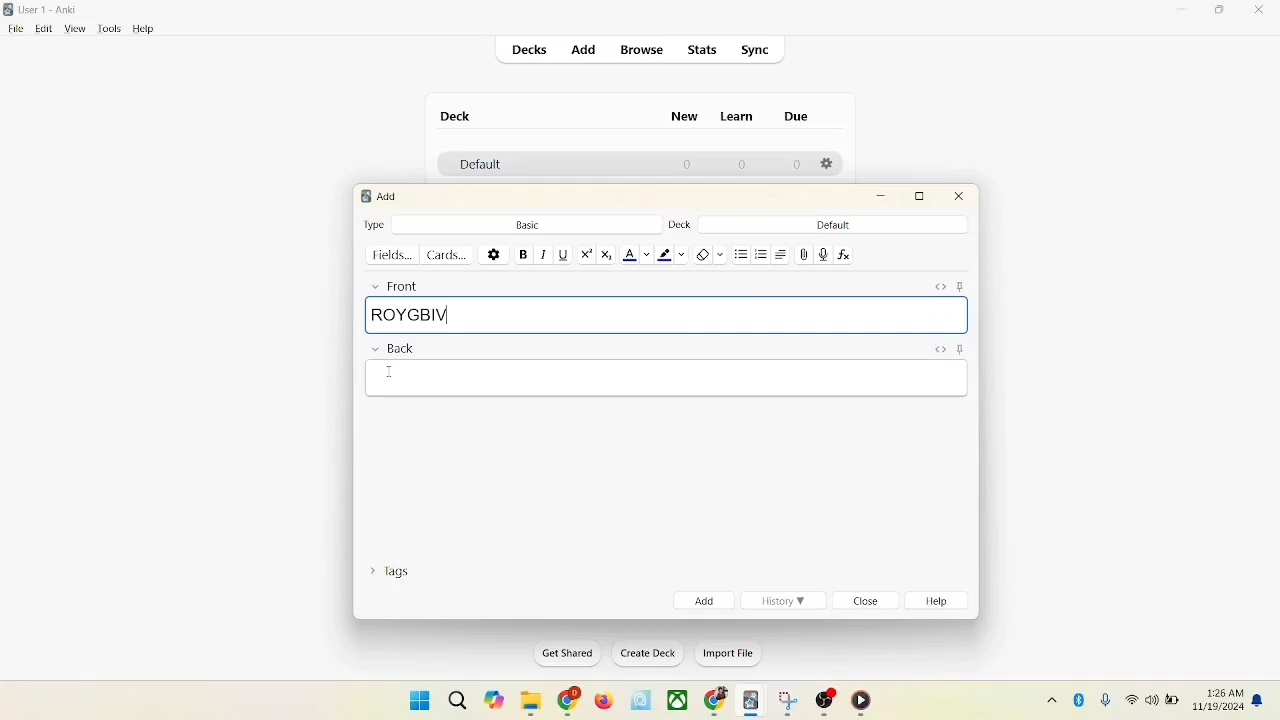 This screenshot has width=1280, height=720. I want to click on learn, so click(742, 117).